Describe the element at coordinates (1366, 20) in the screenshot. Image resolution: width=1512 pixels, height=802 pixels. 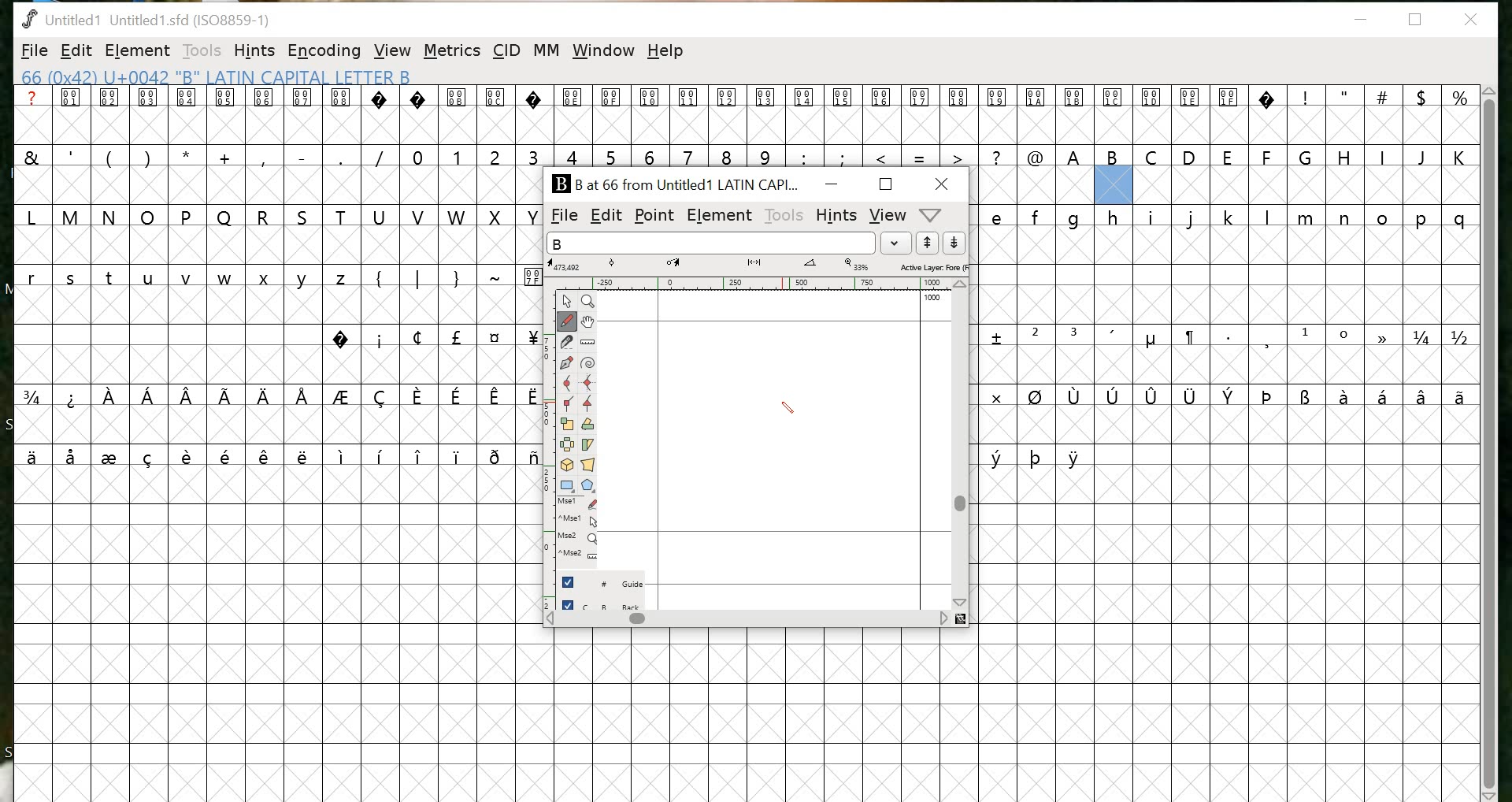
I see `minimize` at that location.